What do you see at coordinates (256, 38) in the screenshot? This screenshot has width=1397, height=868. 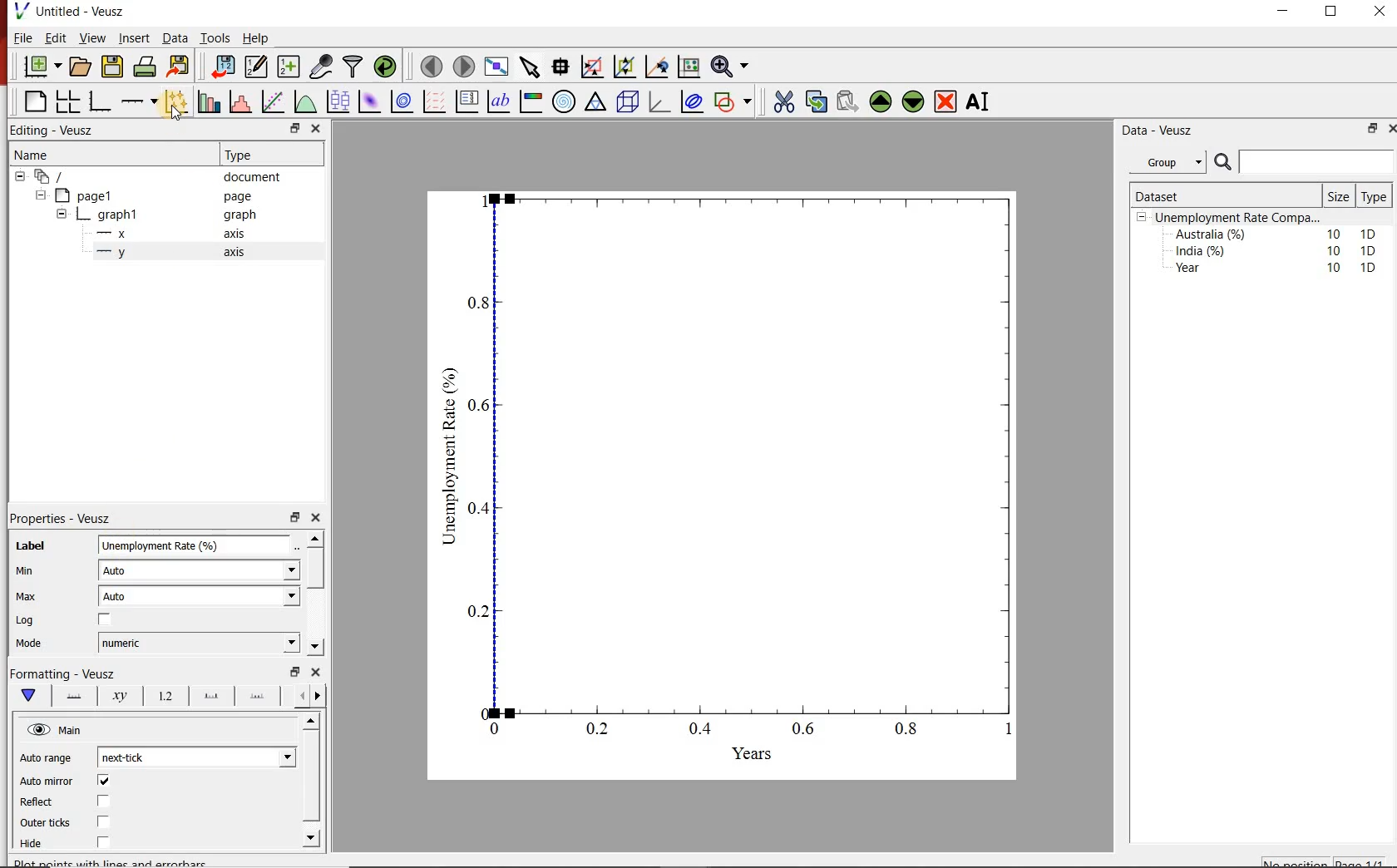 I see `Help` at bounding box center [256, 38].